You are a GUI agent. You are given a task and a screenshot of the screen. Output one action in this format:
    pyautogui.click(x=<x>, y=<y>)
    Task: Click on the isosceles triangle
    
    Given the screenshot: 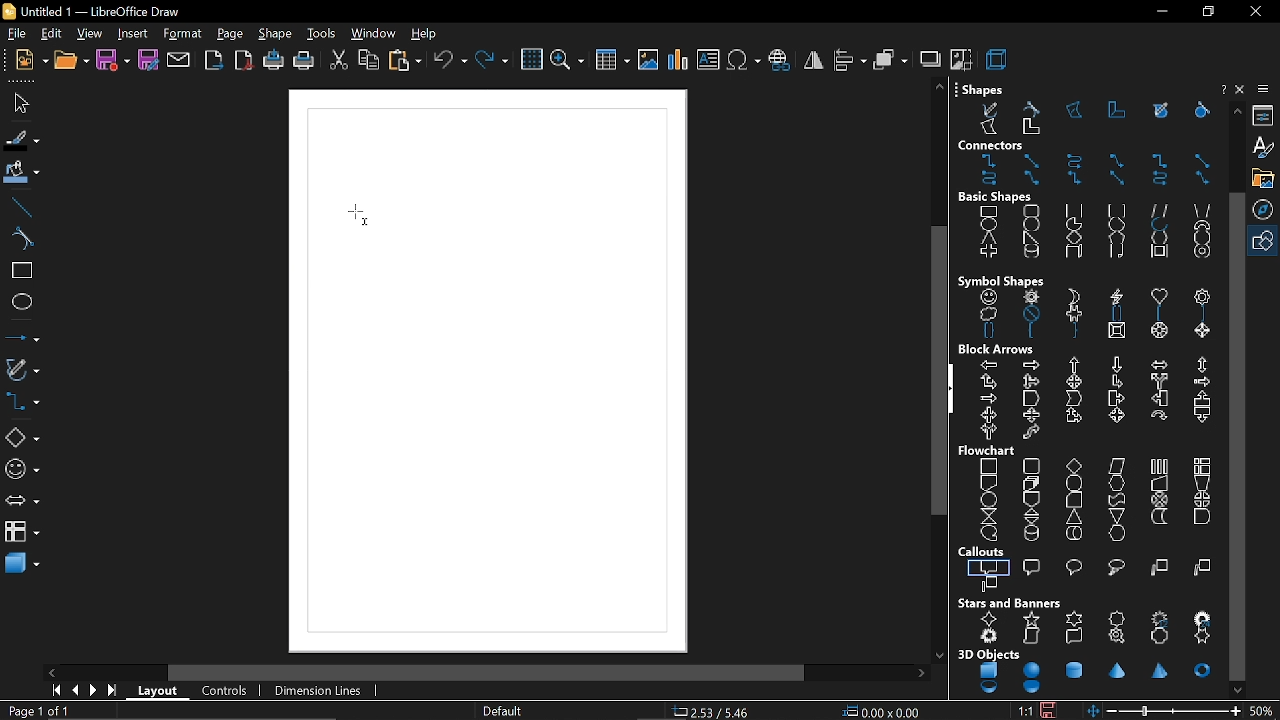 What is the action you would take?
    pyautogui.click(x=988, y=239)
    